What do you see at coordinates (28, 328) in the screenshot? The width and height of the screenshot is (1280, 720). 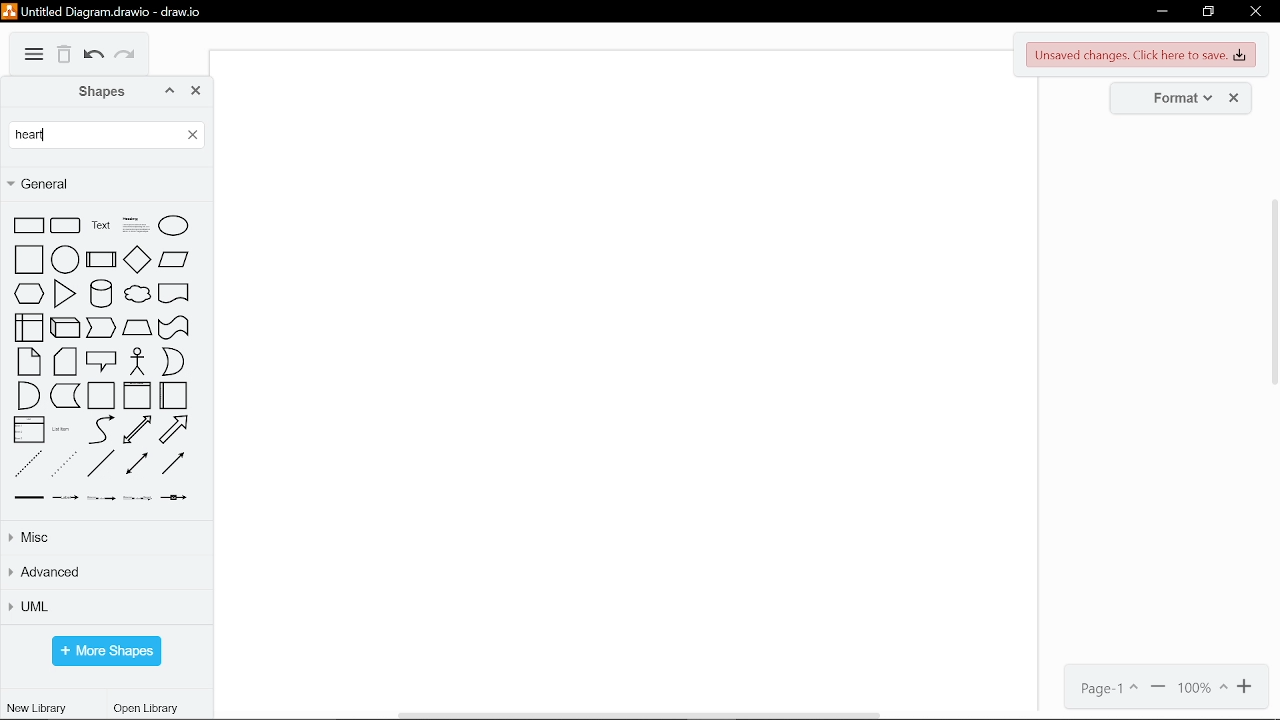 I see `internal storage` at bounding box center [28, 328].